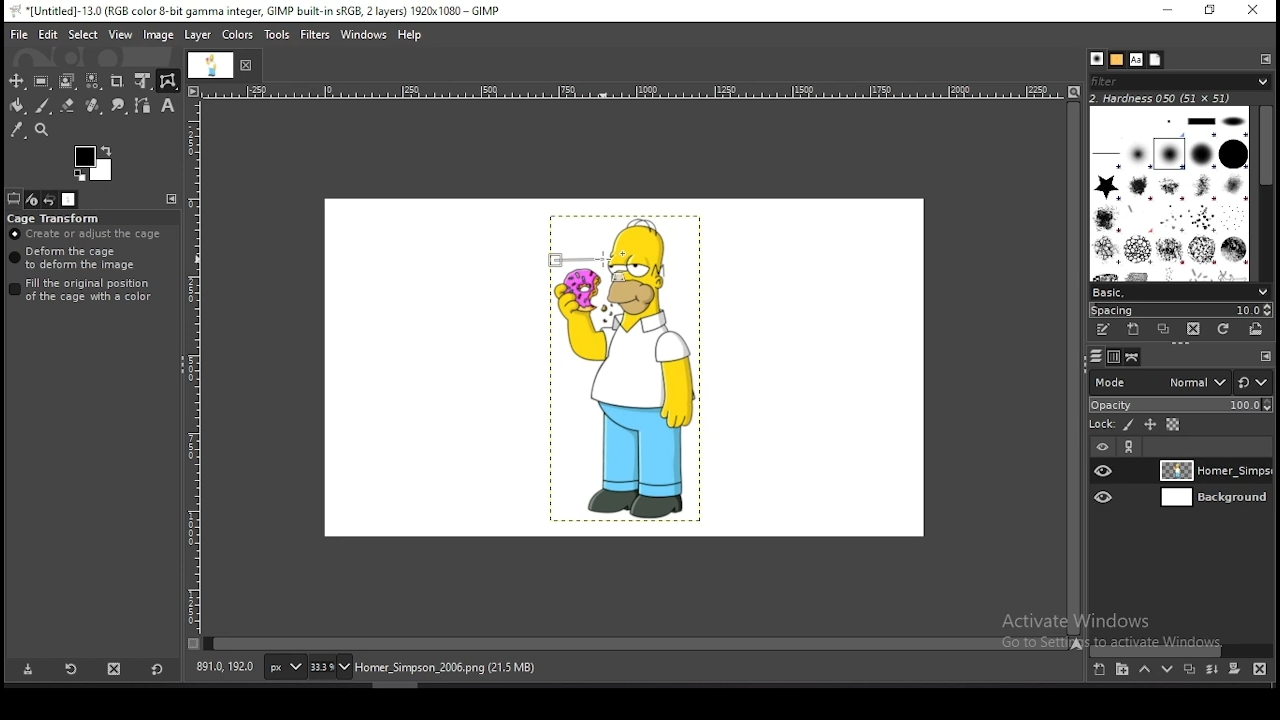  I want to click on deform the cage to deform the image, so click(76, 259).